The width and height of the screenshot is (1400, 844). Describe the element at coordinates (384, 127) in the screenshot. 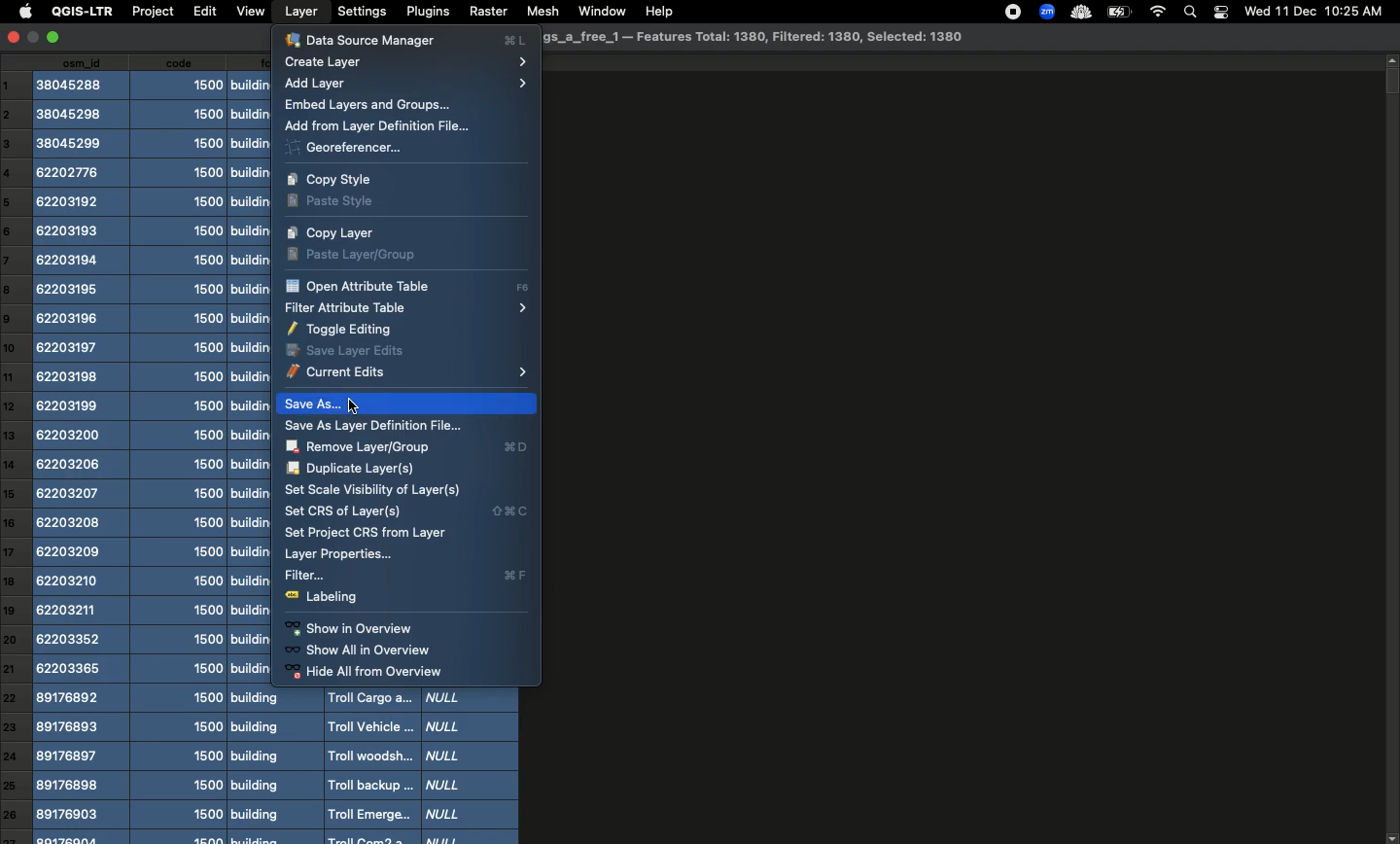

I see `Add from layer definition file` at that location.